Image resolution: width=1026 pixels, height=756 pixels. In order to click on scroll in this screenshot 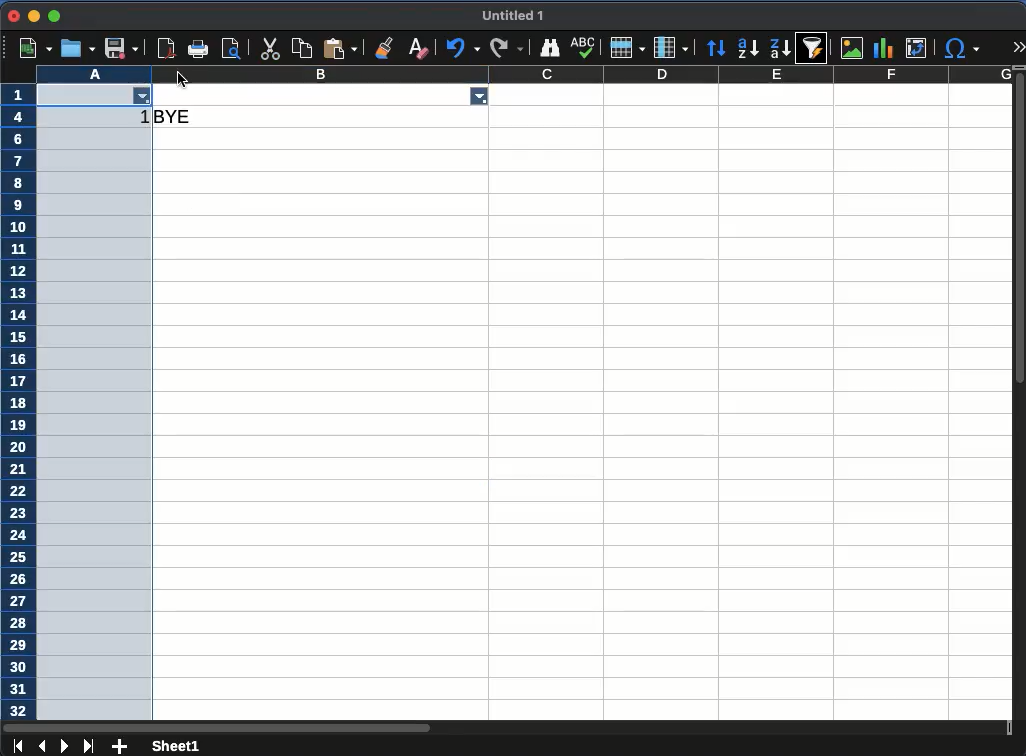, I will do `click(1020, 394)`.